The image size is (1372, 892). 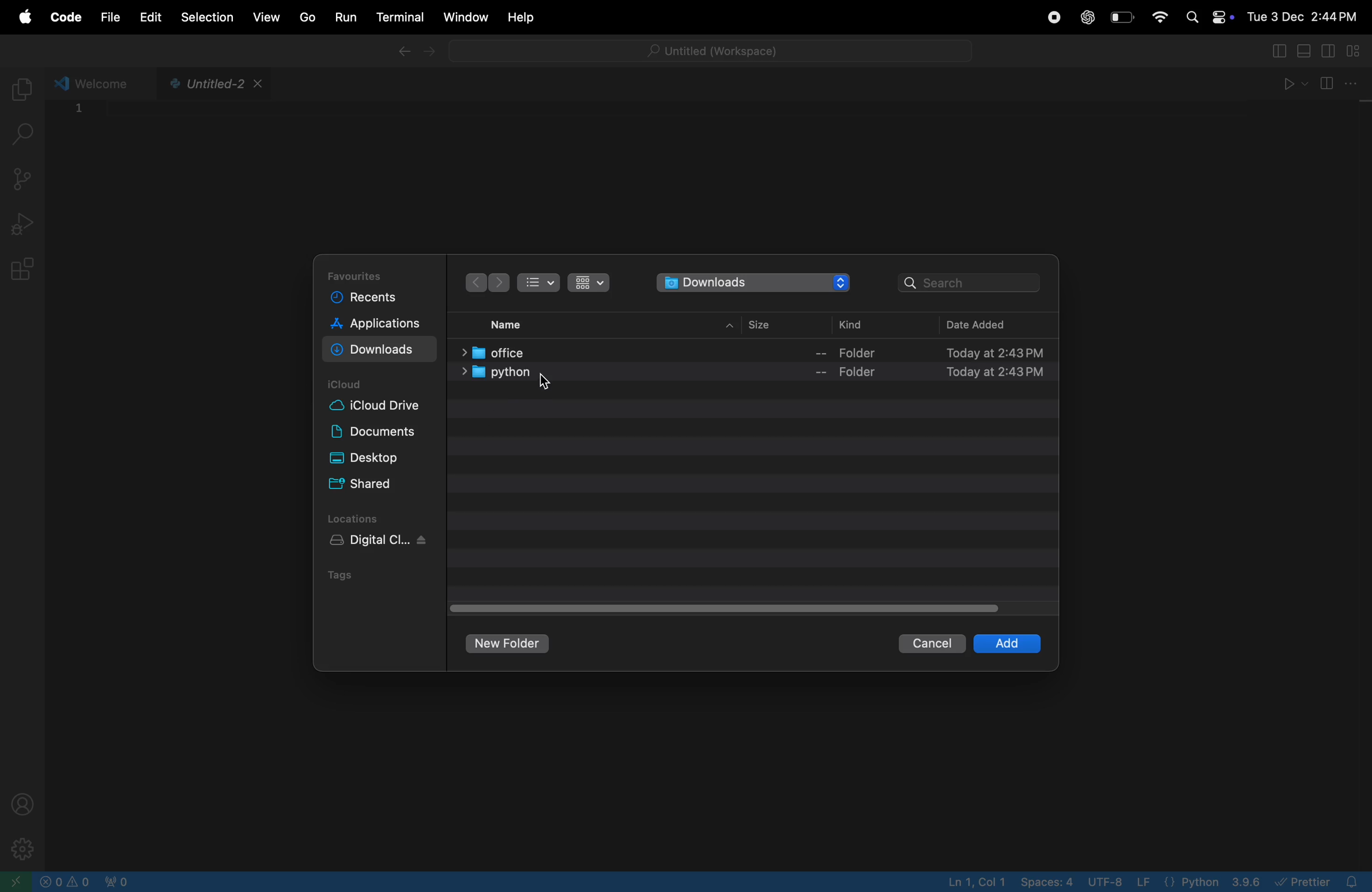 I want to click on python , so click(x=1213, y=881).